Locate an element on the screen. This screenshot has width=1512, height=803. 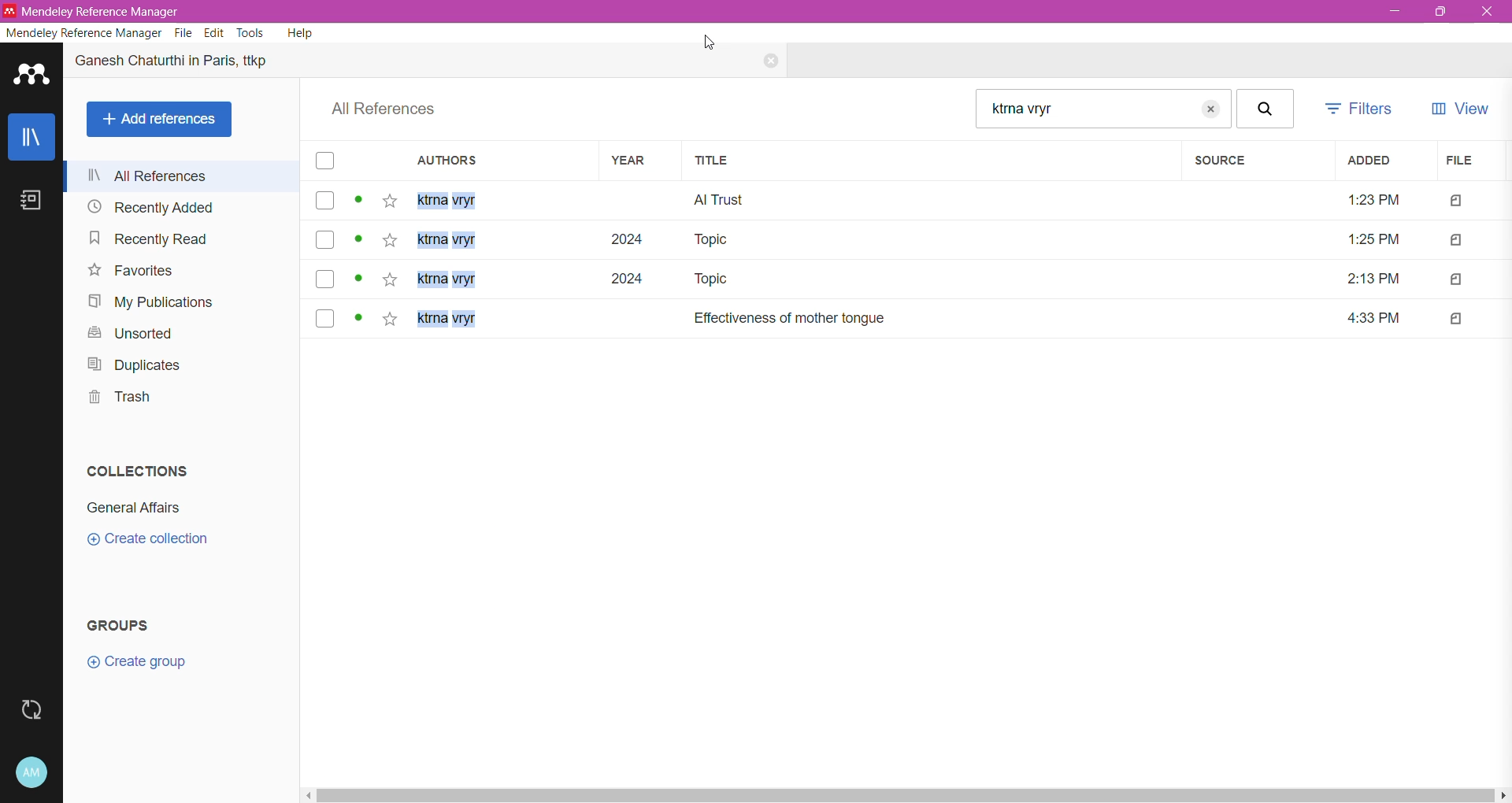
Notes is located at coordinates (31, 202).